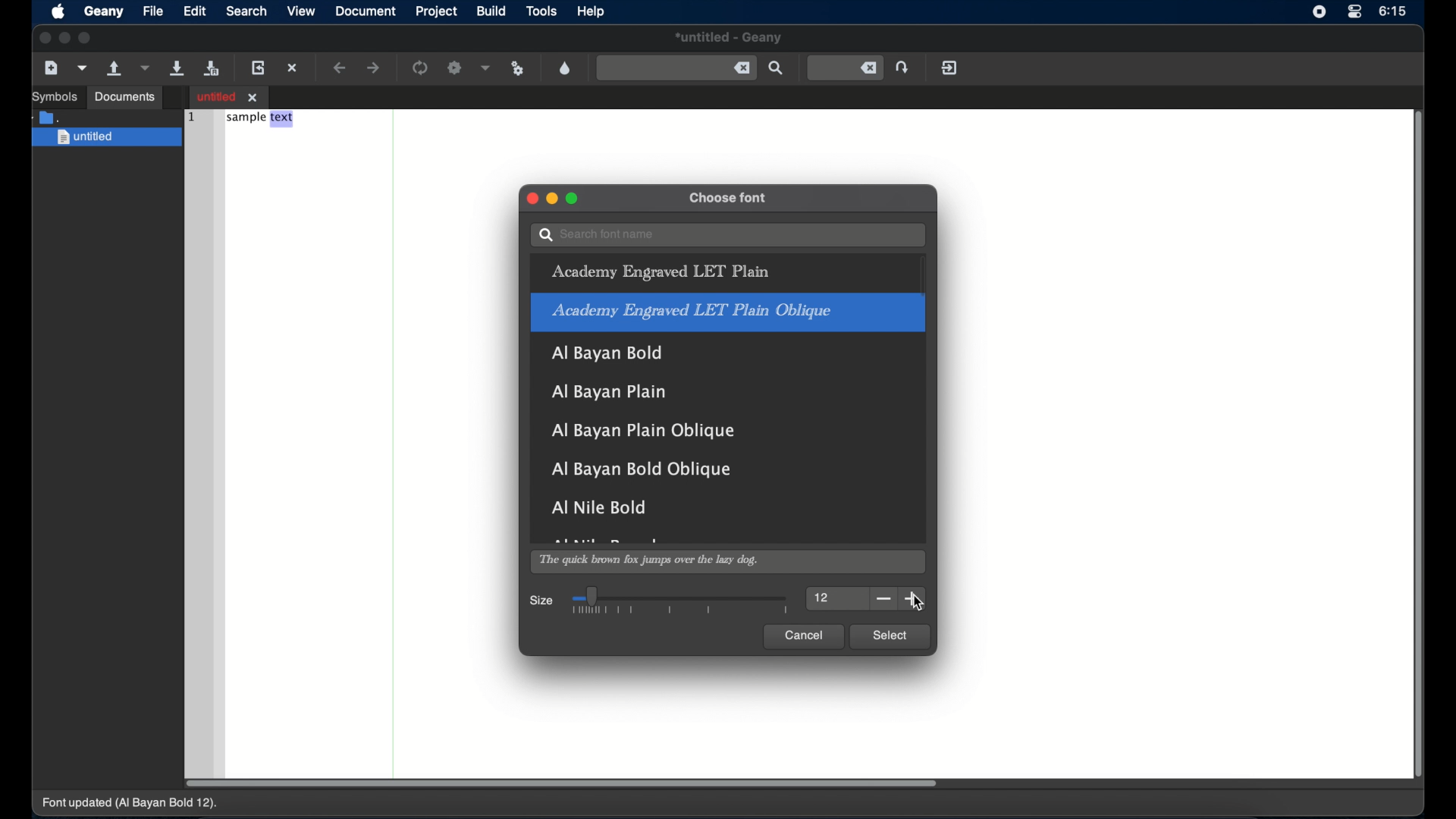 The image size is (1456, 819). Describe the element at coordinates (645, 431) in the screenshot. I see `al bayan plain oblique` at that location.